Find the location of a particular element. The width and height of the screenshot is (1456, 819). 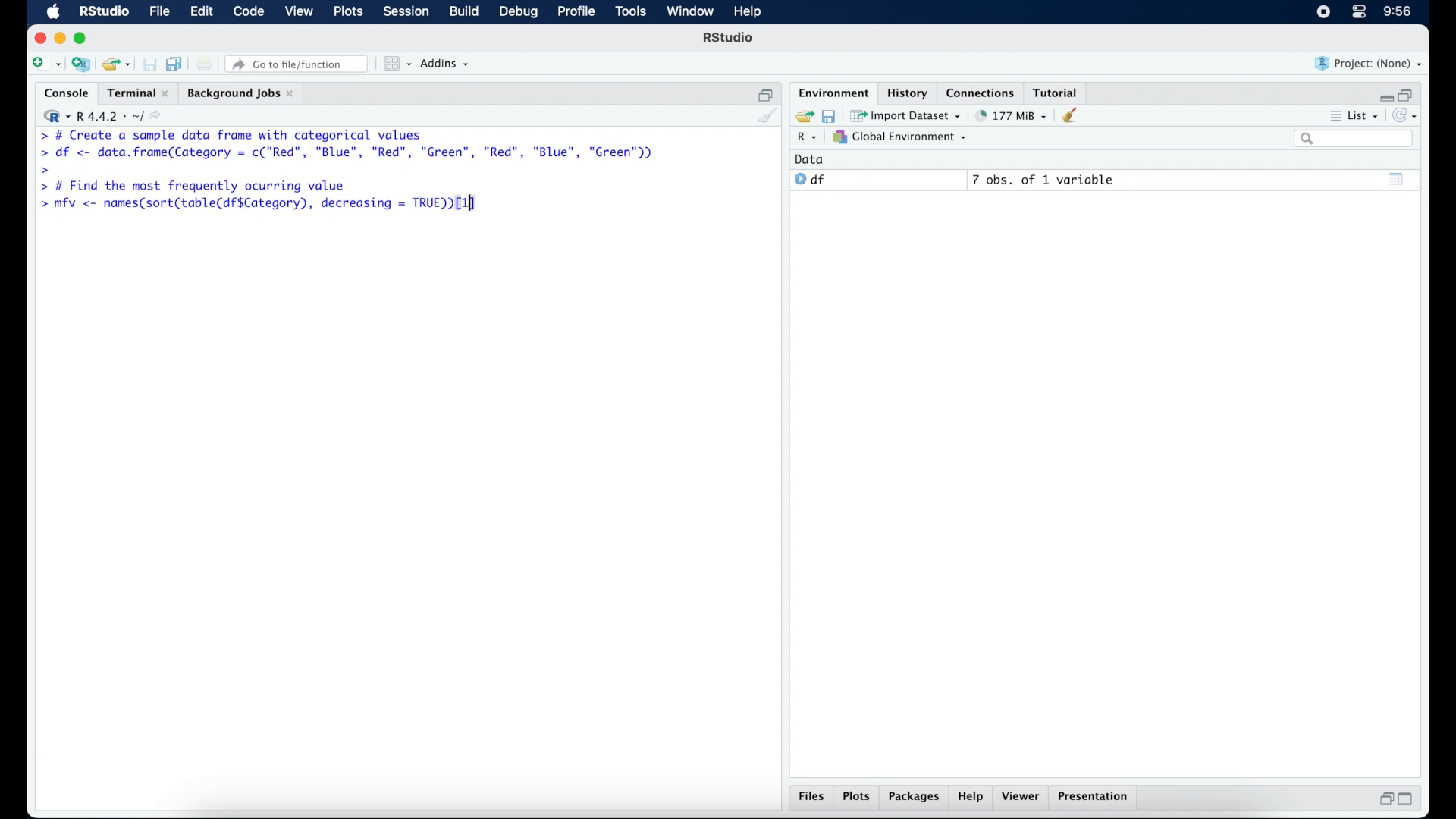

background jobs is located at coordinates (243, 93).